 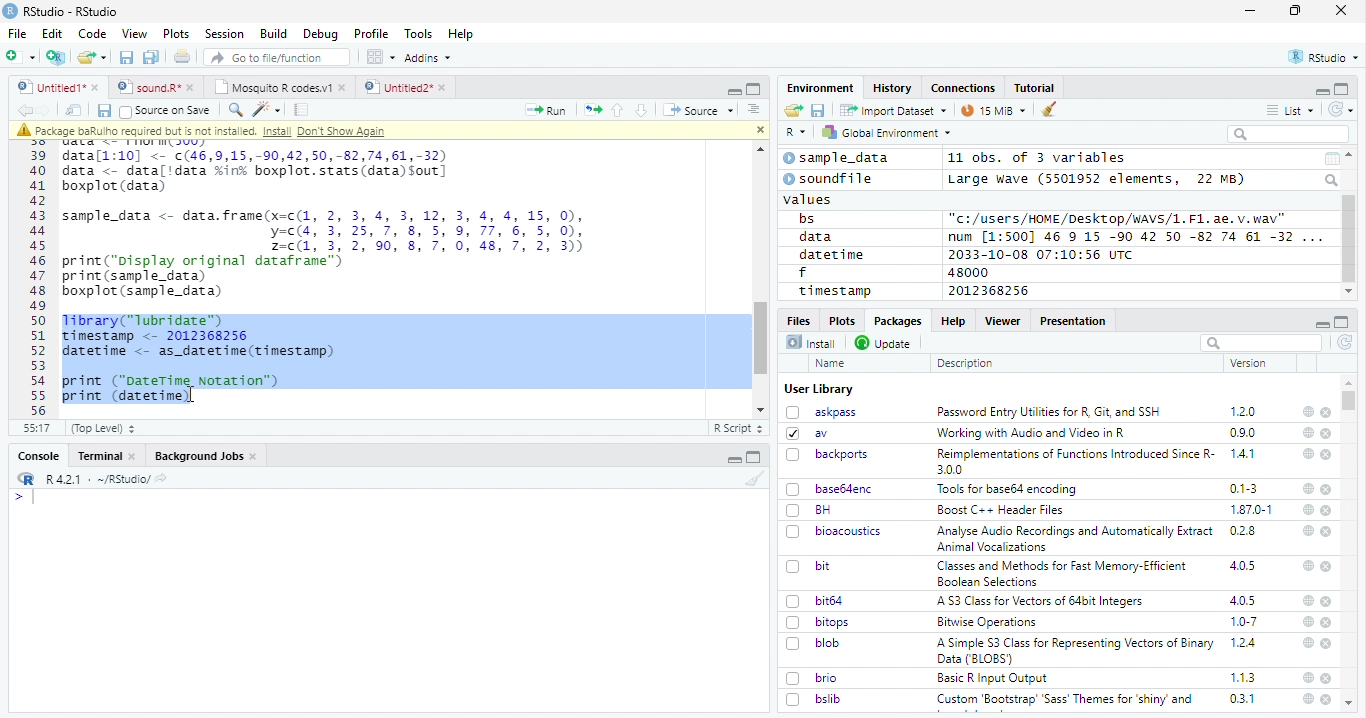 What do you see at coordinates (966, 272) in the screenshot?
I see `48000` at bounding box center [966, 272].